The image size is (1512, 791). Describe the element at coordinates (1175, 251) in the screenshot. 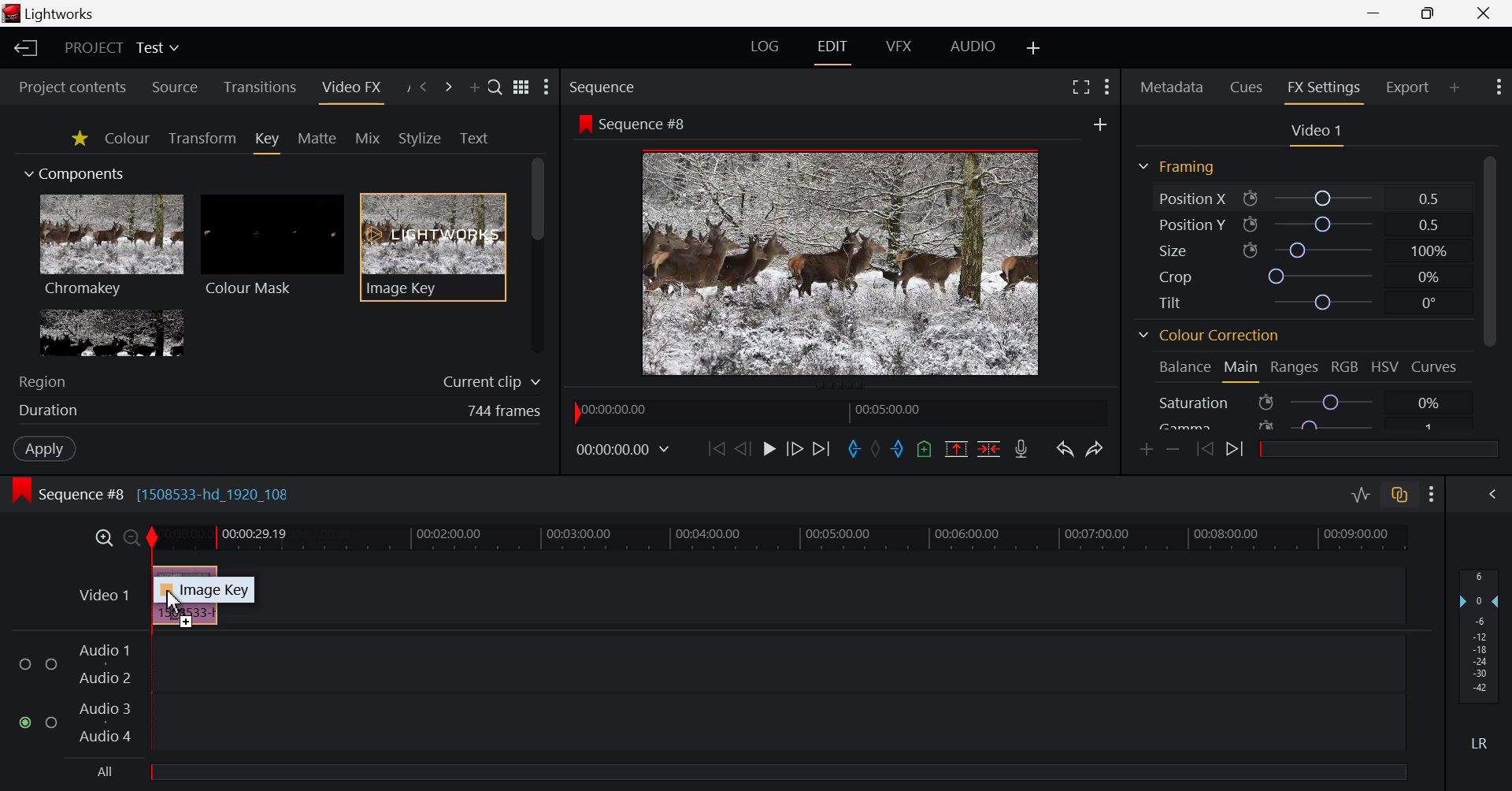

I see `Size` at that location.